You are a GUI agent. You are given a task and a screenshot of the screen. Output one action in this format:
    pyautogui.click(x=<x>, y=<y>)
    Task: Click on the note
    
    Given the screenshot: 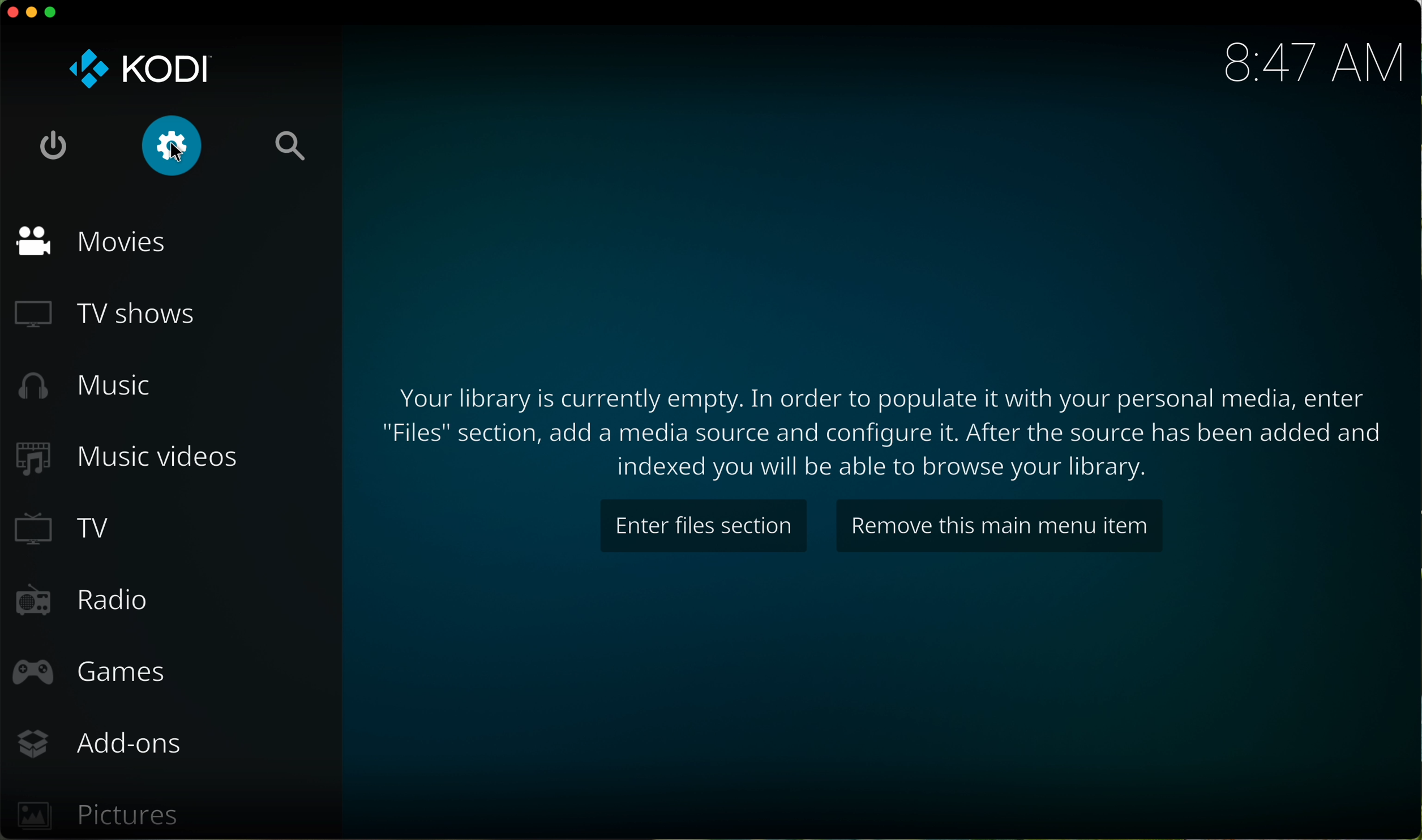 What is the action you would take?
    pyautogui.click(x=883, y=432)
    